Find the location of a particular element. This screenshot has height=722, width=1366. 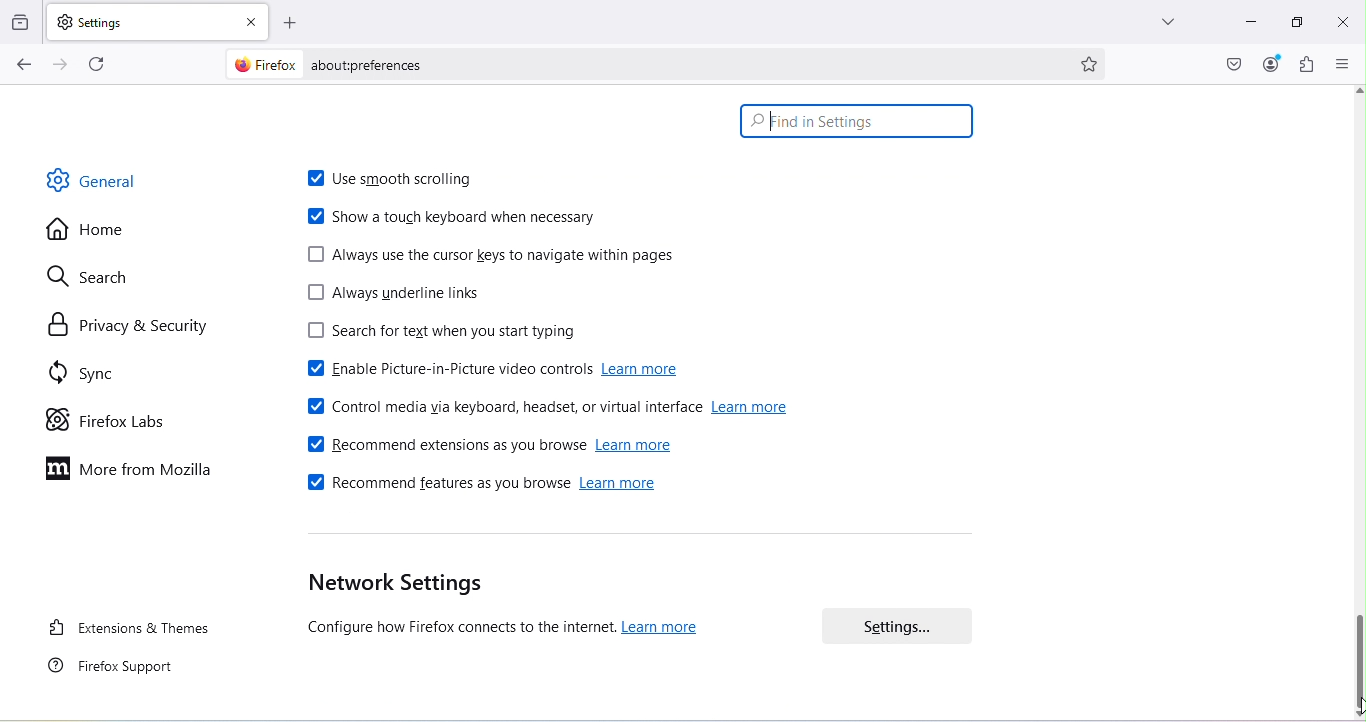

Settings is located at coordinates (906, 623).